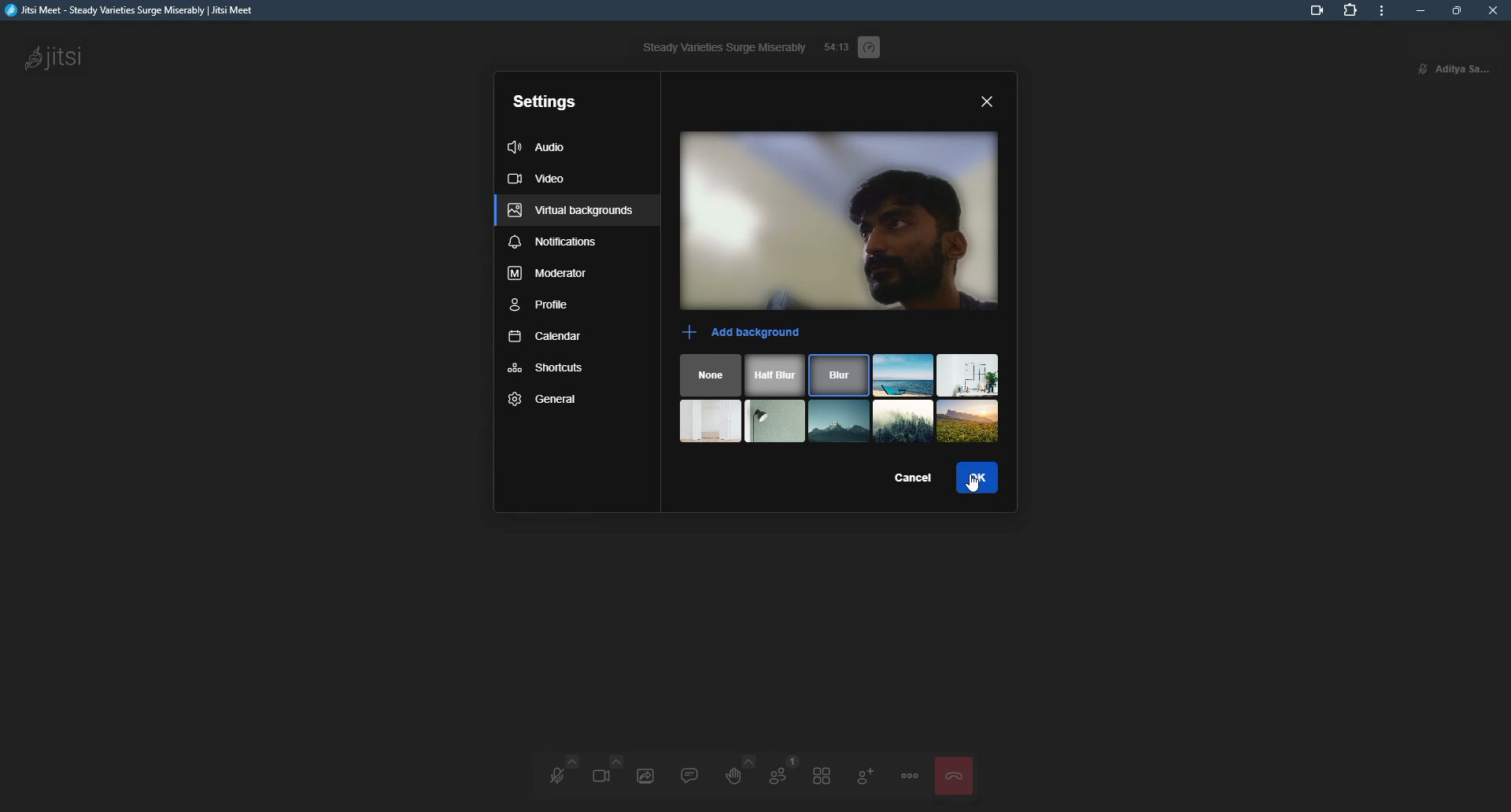 This screenshot has width=1511, height=812. Describe the element at coordinates (545, 341) in the screenshot. I see `calendar` at that location.